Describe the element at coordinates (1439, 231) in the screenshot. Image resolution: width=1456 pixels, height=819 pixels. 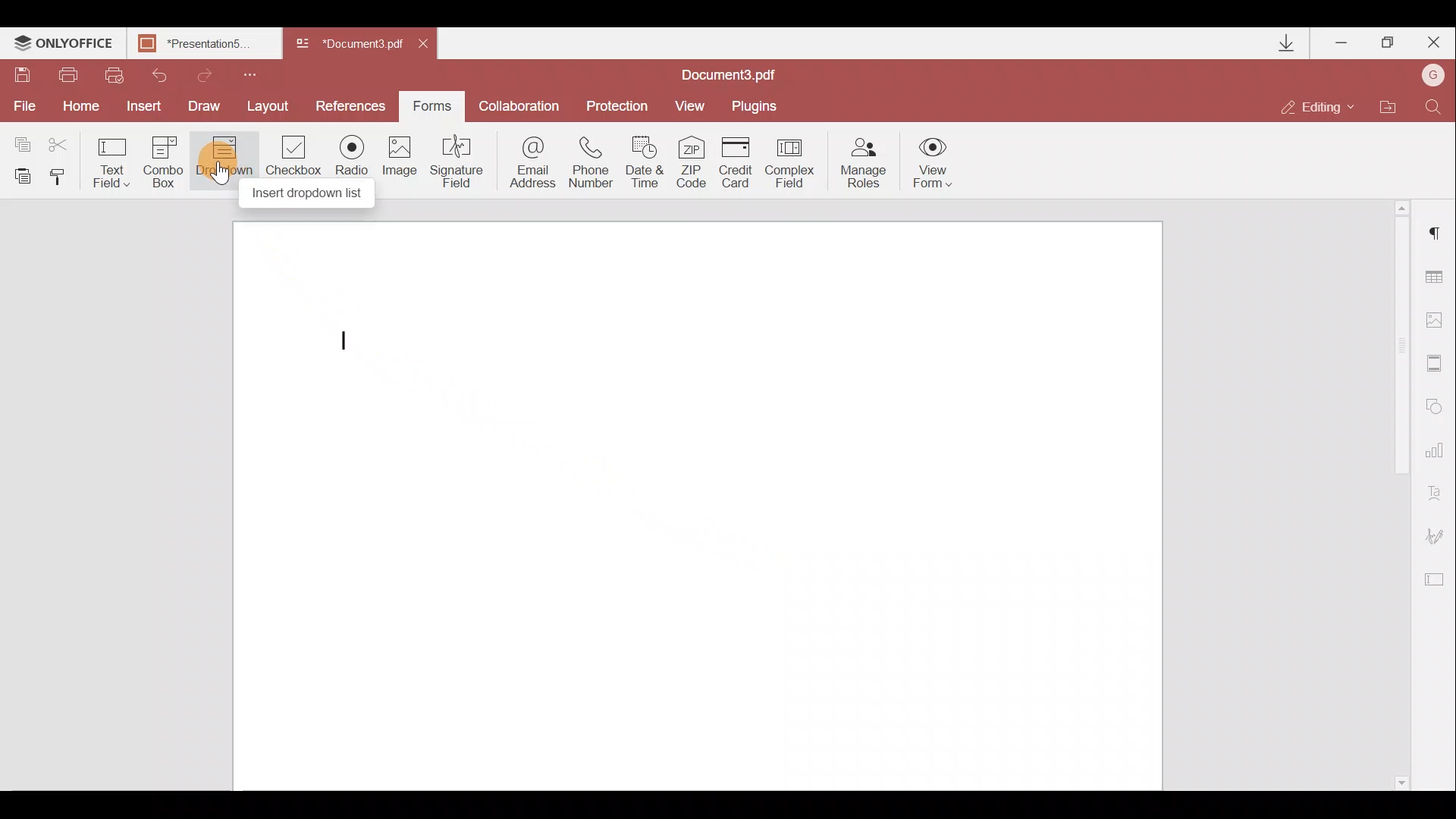
I see `Paragraph settings` at that location.